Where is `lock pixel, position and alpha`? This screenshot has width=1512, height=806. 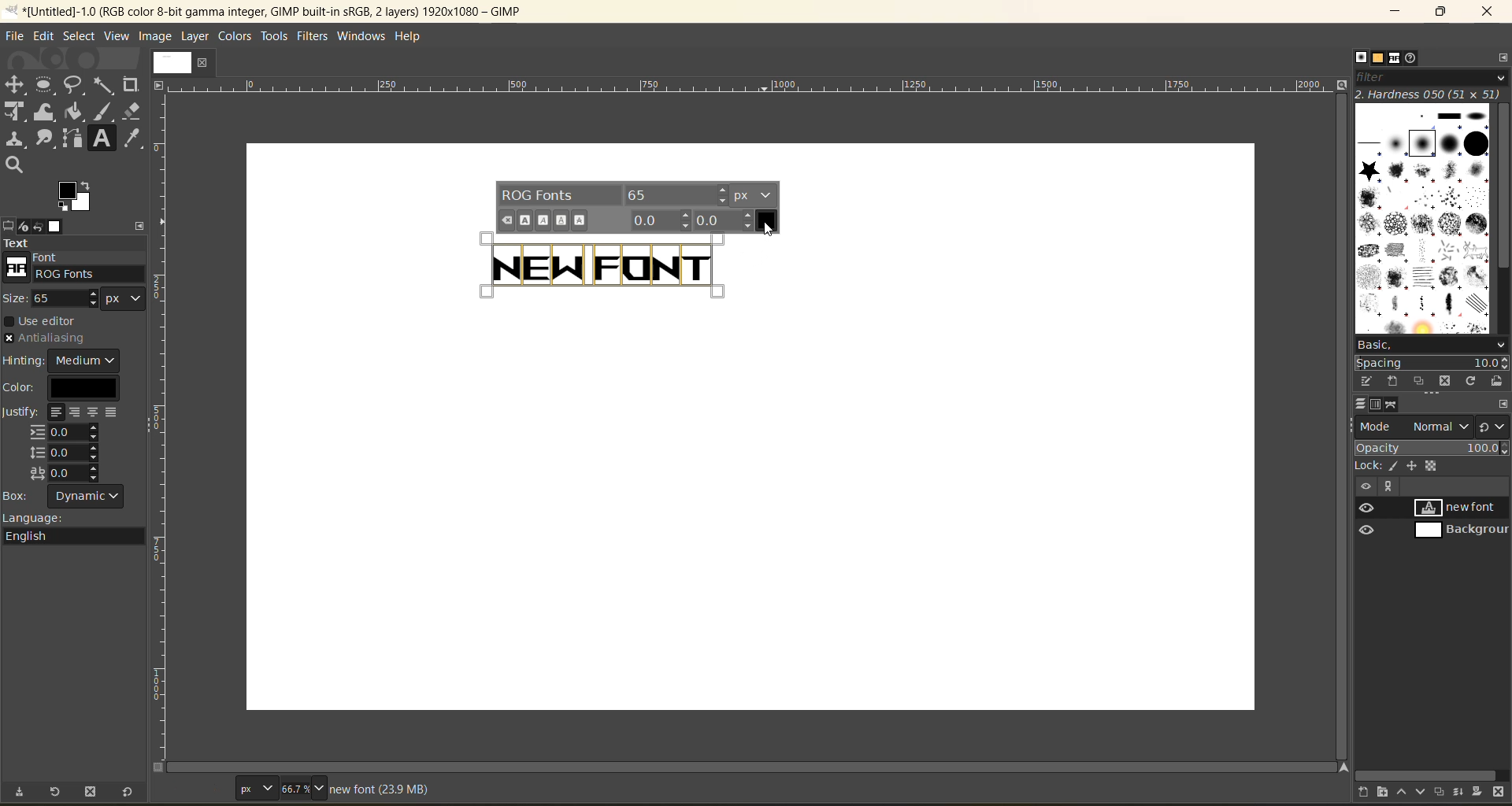 lock pixel, position and alpha is located at coordinates (1431, 467).